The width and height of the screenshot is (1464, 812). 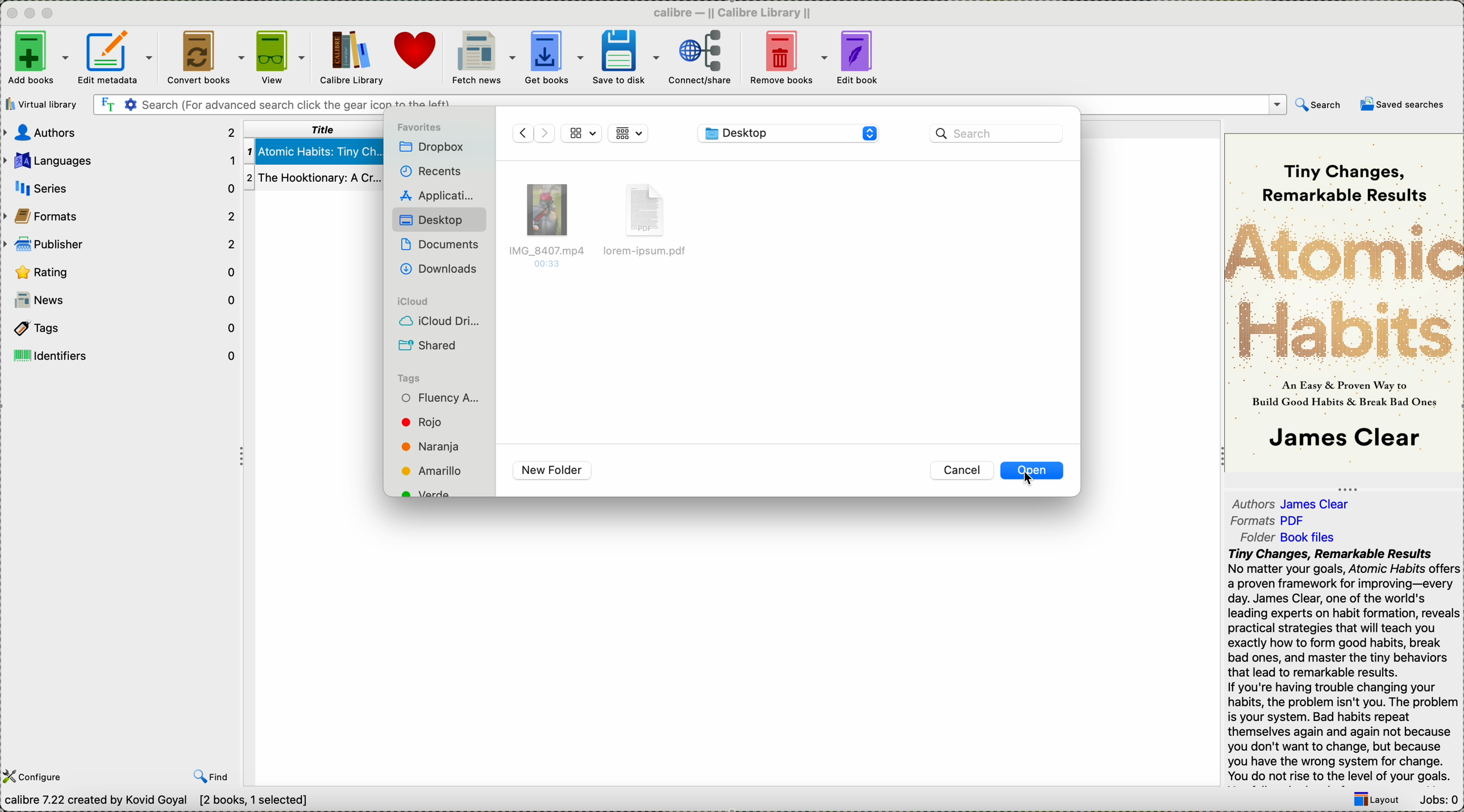 What do you see at coordinates (733, 11) in the screenshot?
I see `Calibre Calibre library` at bounding box center [733, 11].